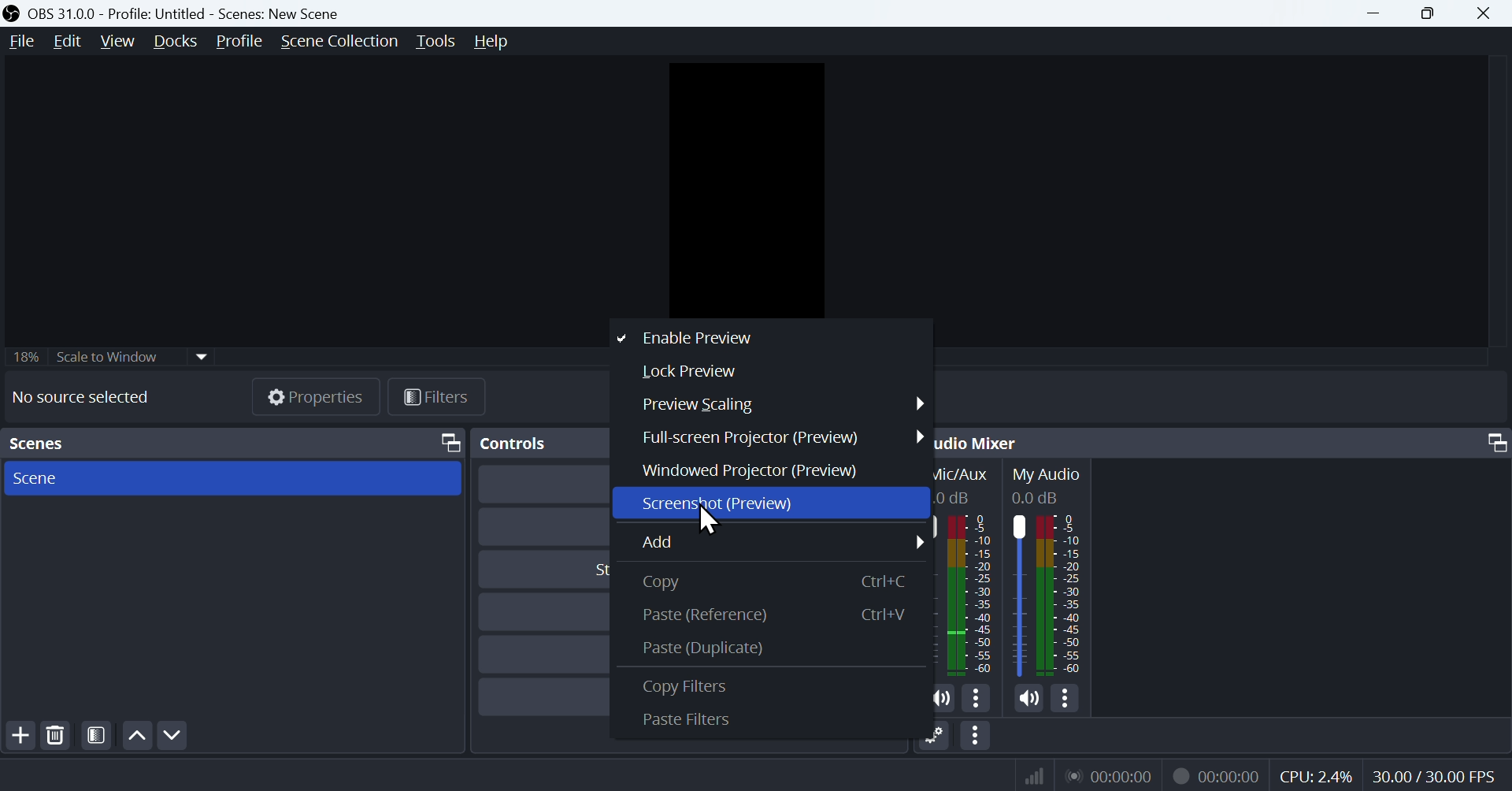 The height and width of the screenshot is (791, 1512). Describe the element at coordinates (444, 440) in the screenshot. I see `Maximize` at that location.